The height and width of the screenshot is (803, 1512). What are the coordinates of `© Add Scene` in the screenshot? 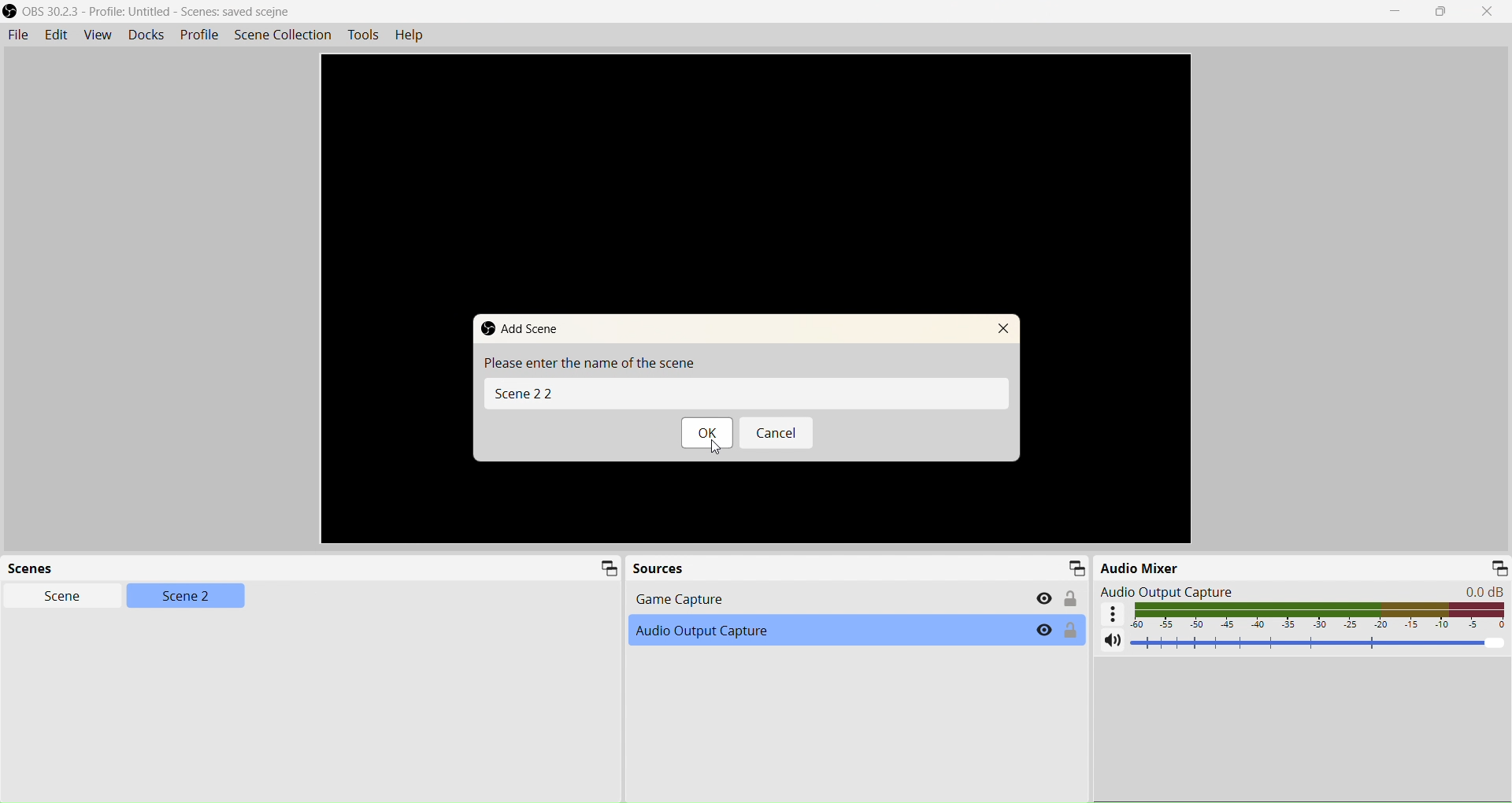 It's located at (521, 328).